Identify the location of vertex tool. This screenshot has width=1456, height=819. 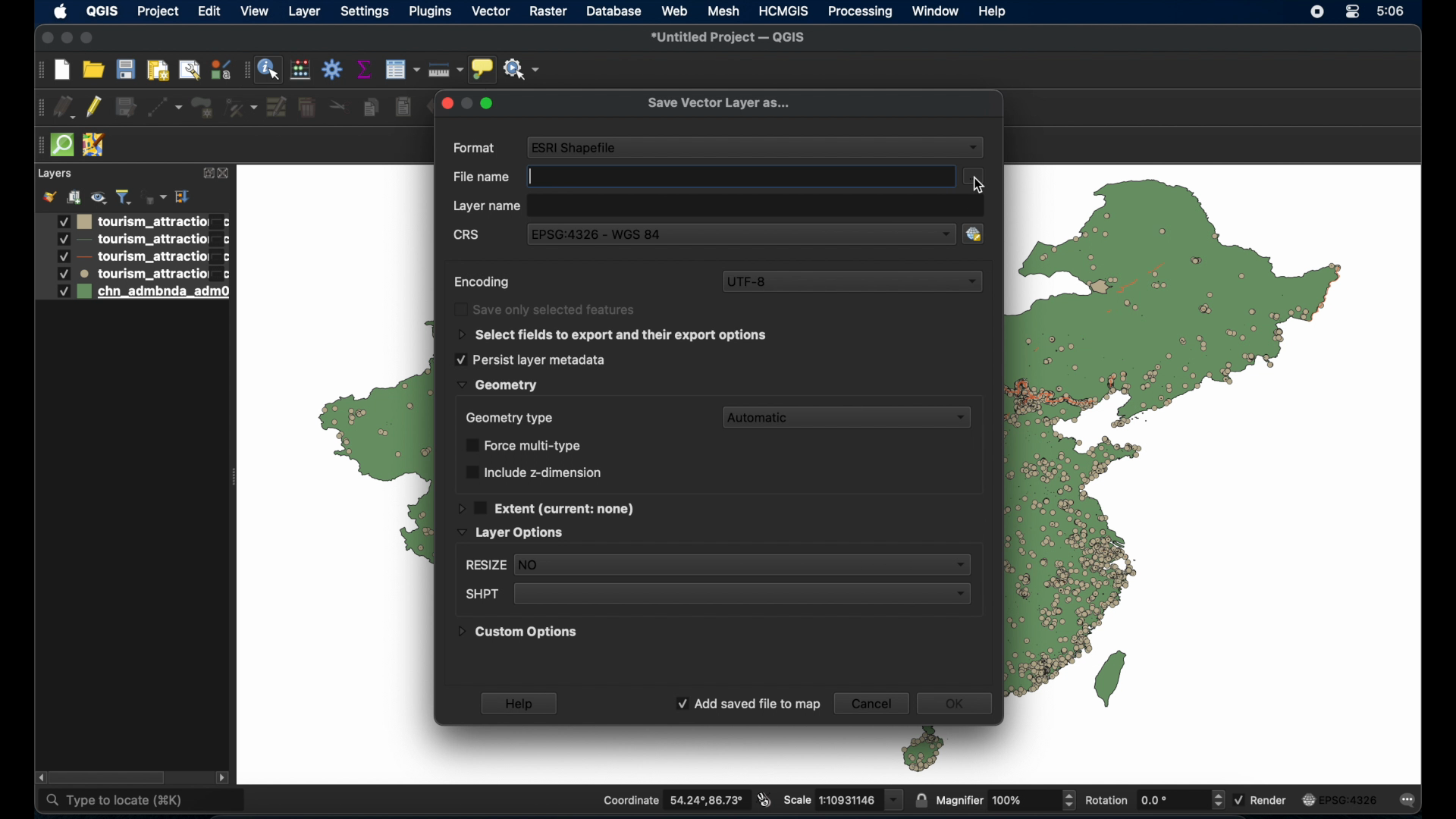
(243, 108).